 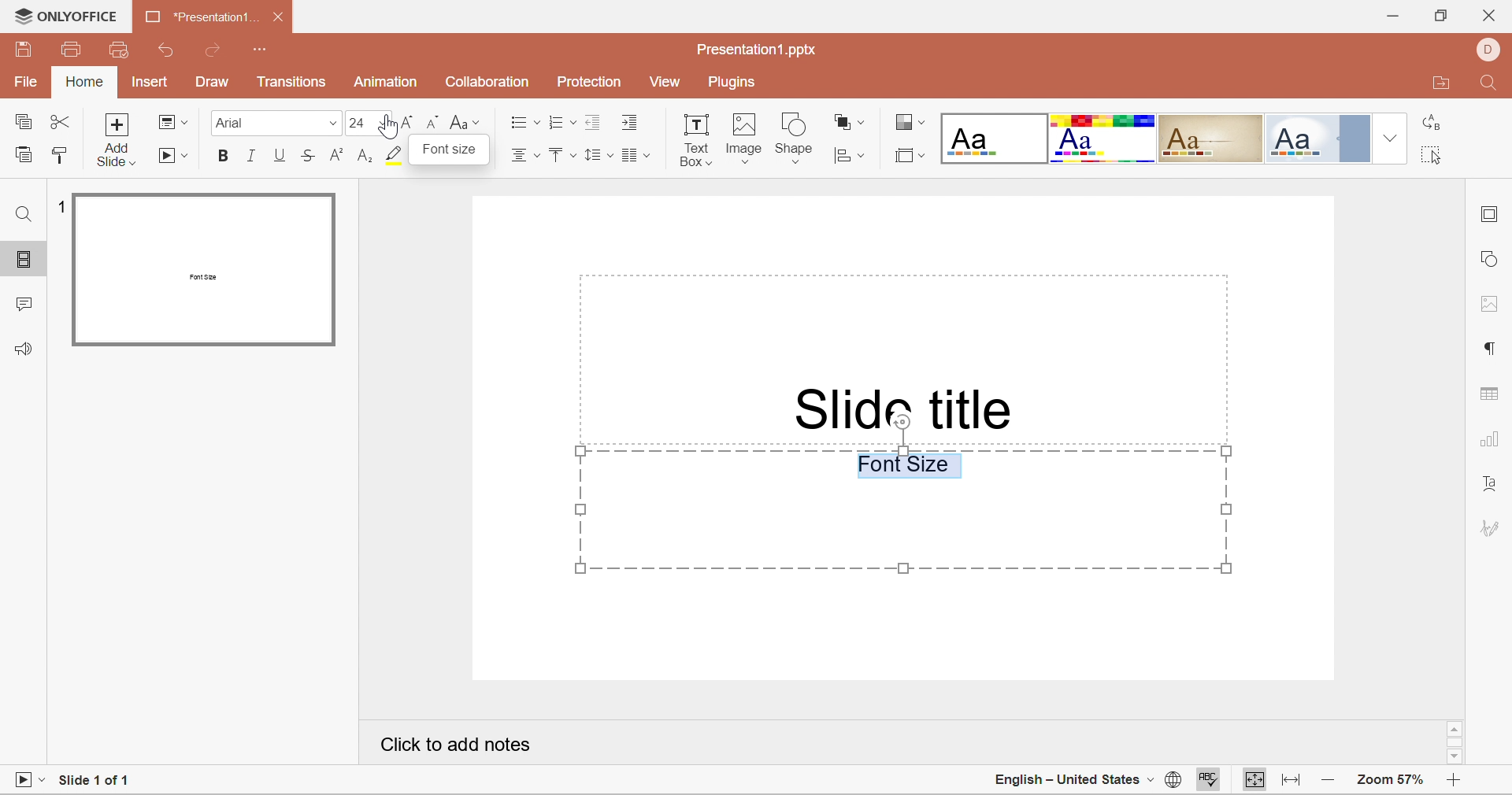 What do you see at coordinates (62, 124) in the screenshot?
I see `Cut` at bounding box center [62, 124].